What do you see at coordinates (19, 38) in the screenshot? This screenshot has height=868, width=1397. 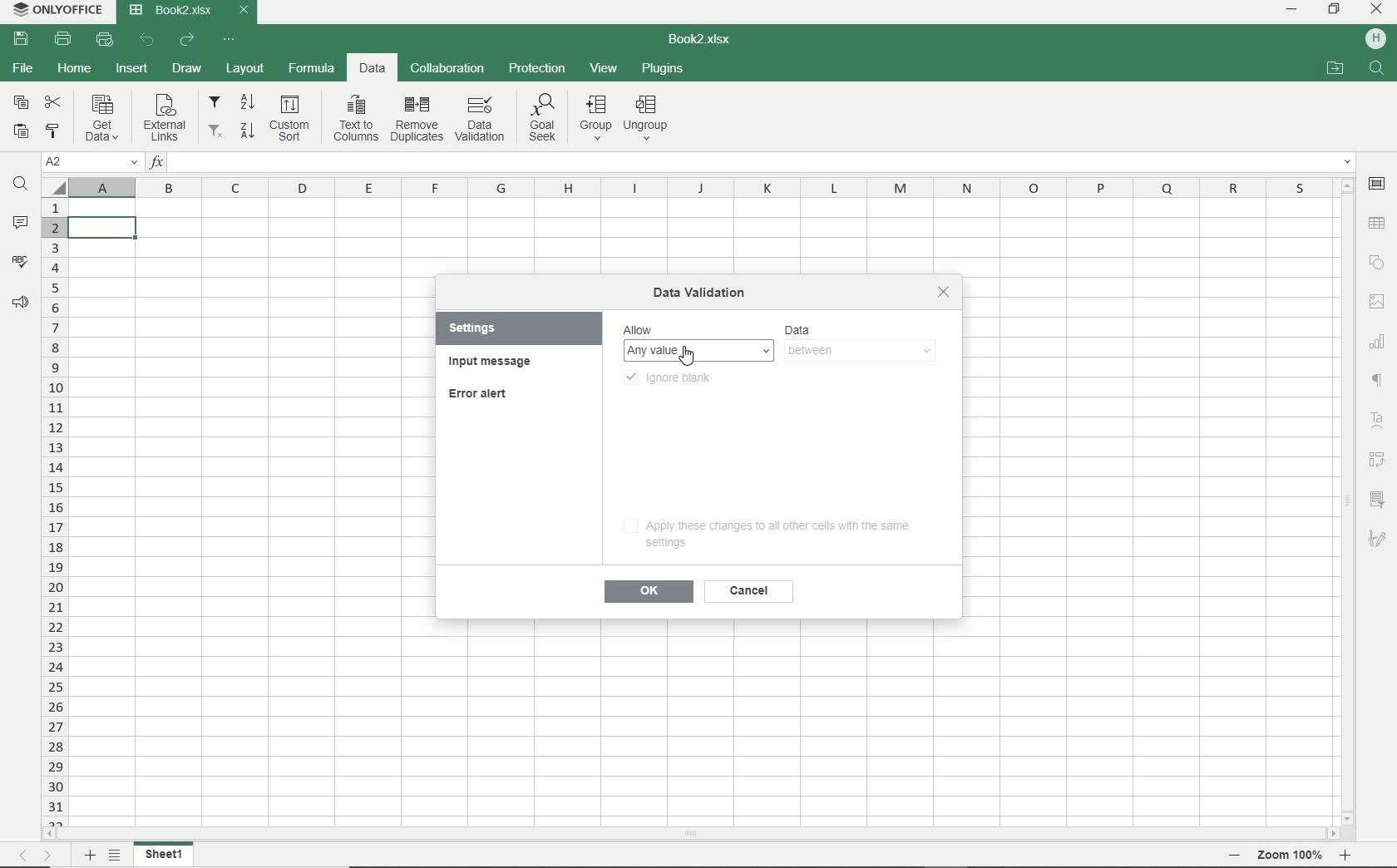 I see `SAVE` at bounding box center [19, 38].